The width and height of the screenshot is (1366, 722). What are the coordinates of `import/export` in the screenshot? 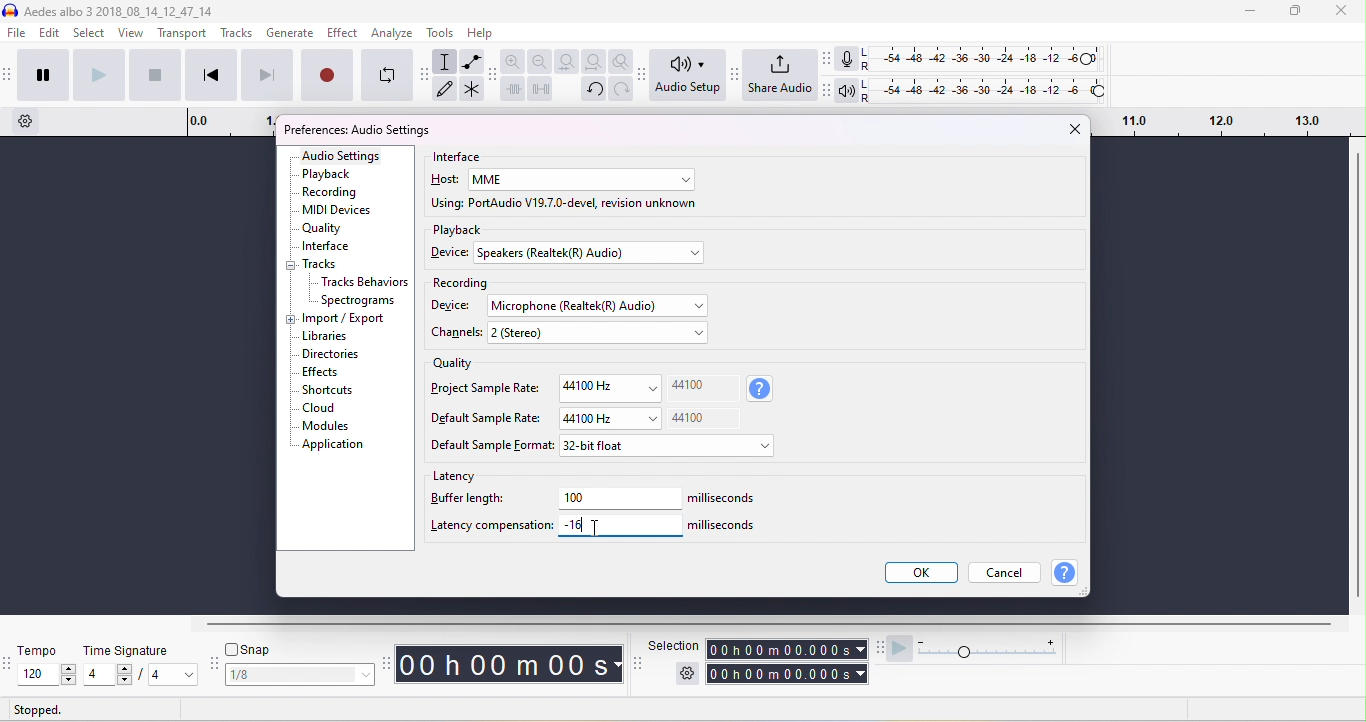 It's located at (346, 319).